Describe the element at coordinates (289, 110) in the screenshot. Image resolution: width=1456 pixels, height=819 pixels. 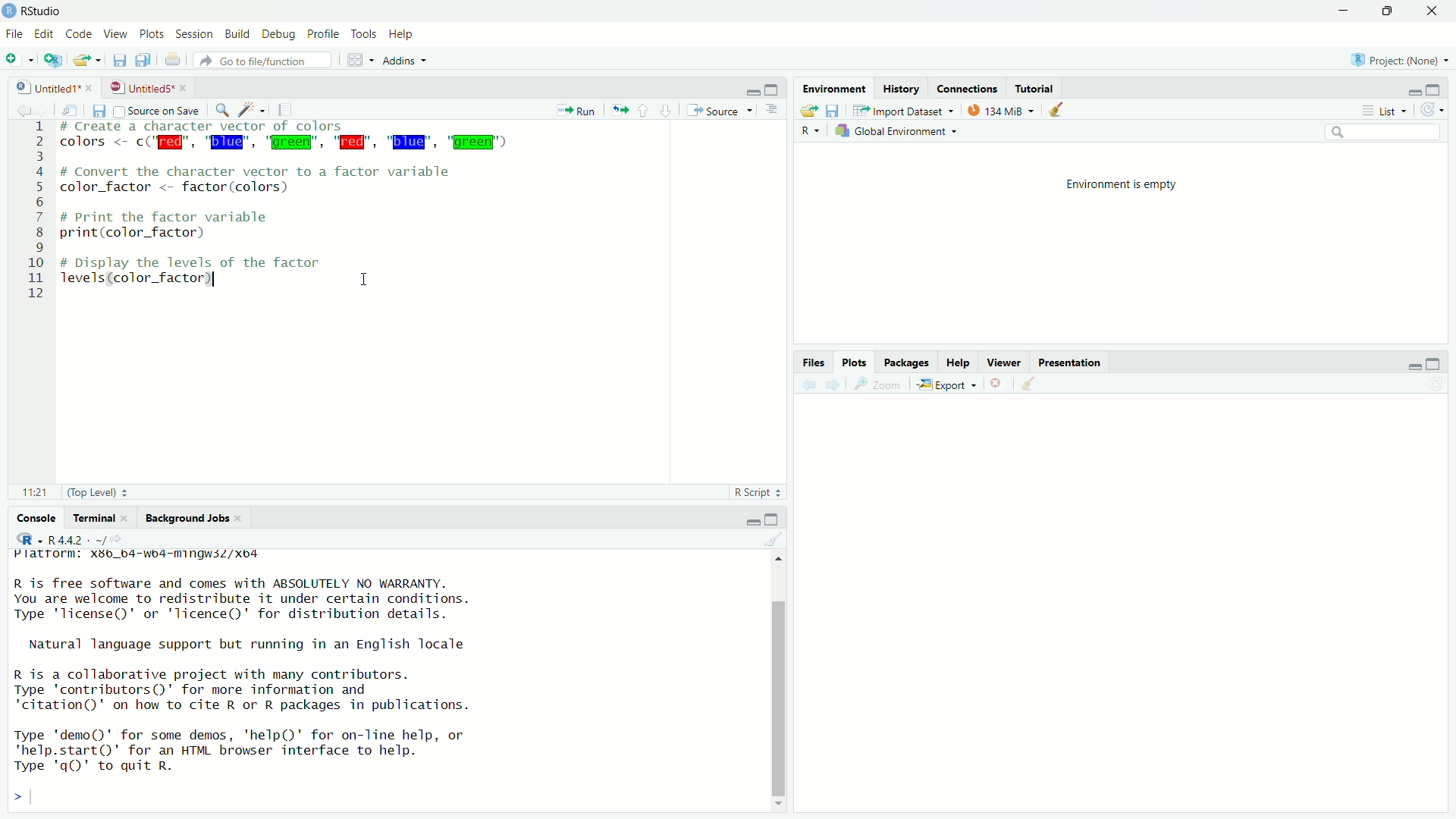
I see `compile report` at that location.